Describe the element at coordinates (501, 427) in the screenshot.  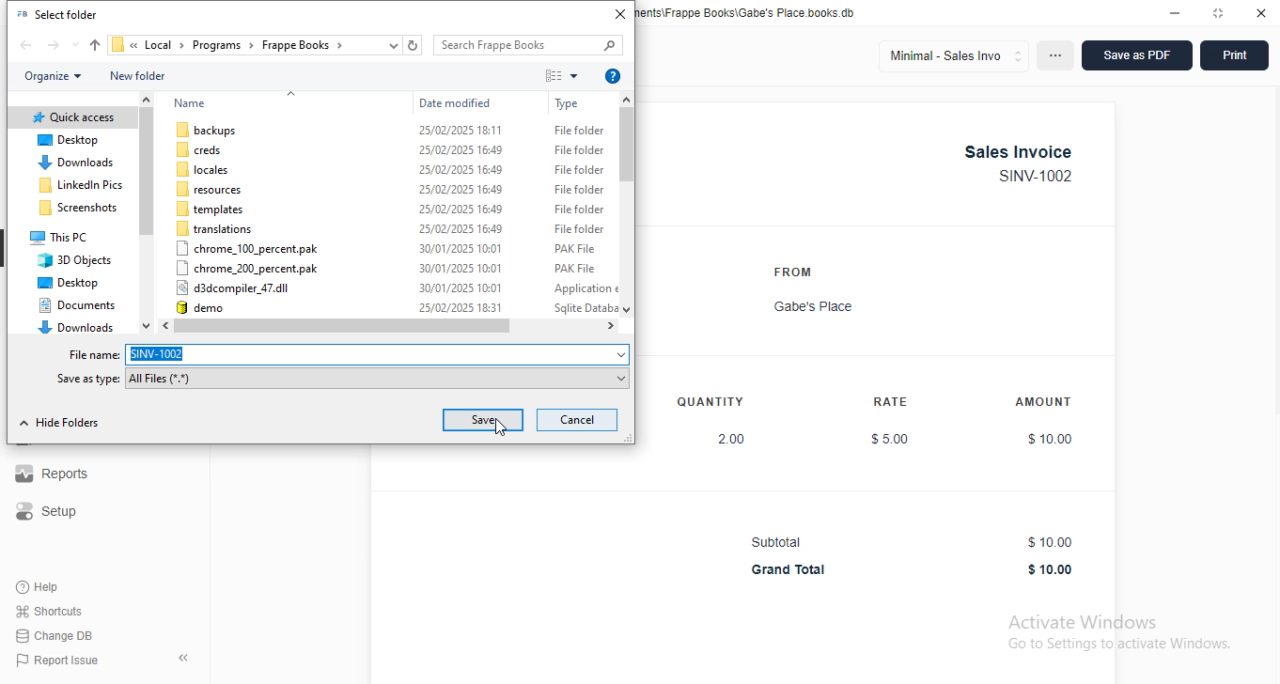
I see `cursor` at that location.